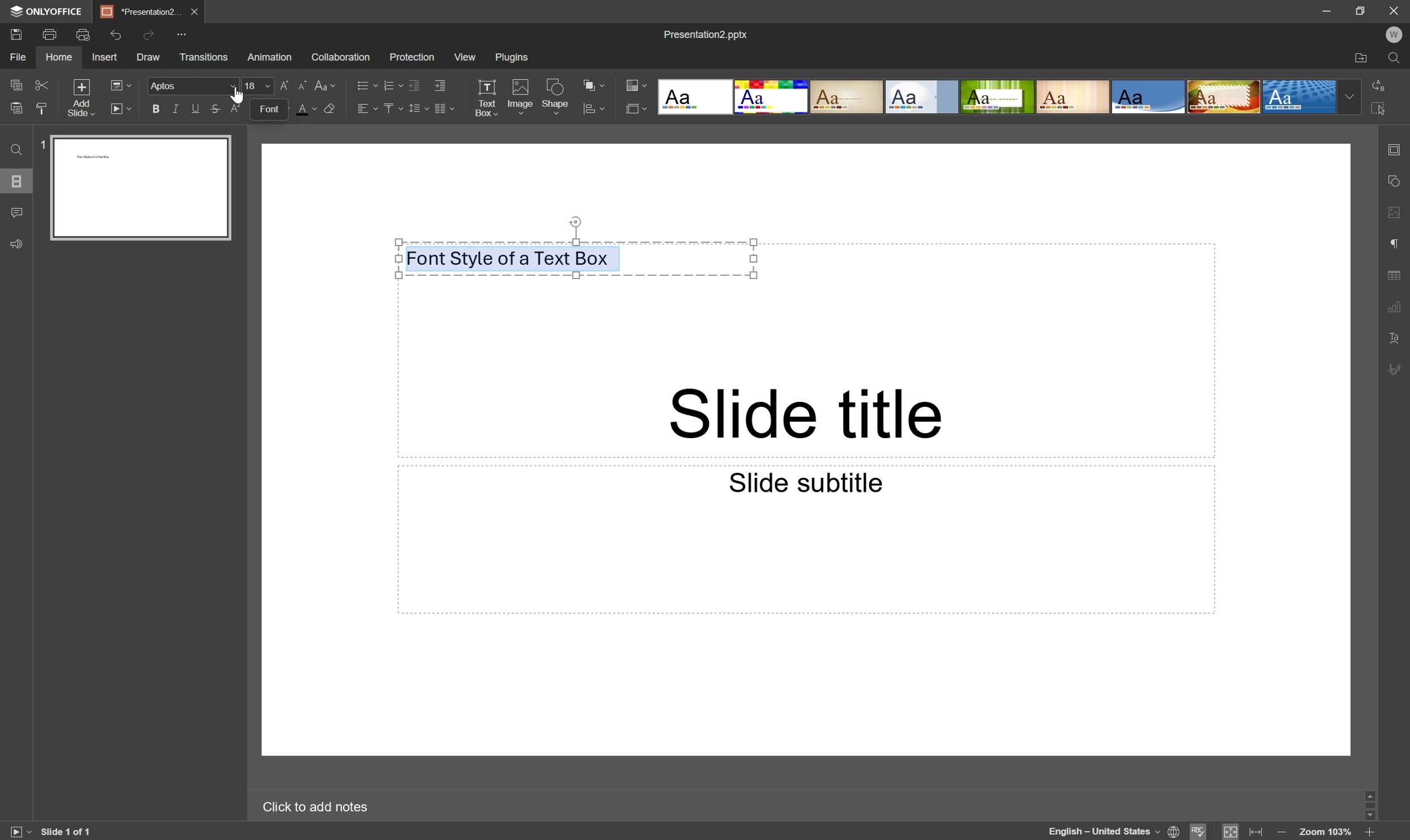 Image resolution: width=1410 pixels, height=840 pixels. I want to click on Numbering, so click(390, 82).